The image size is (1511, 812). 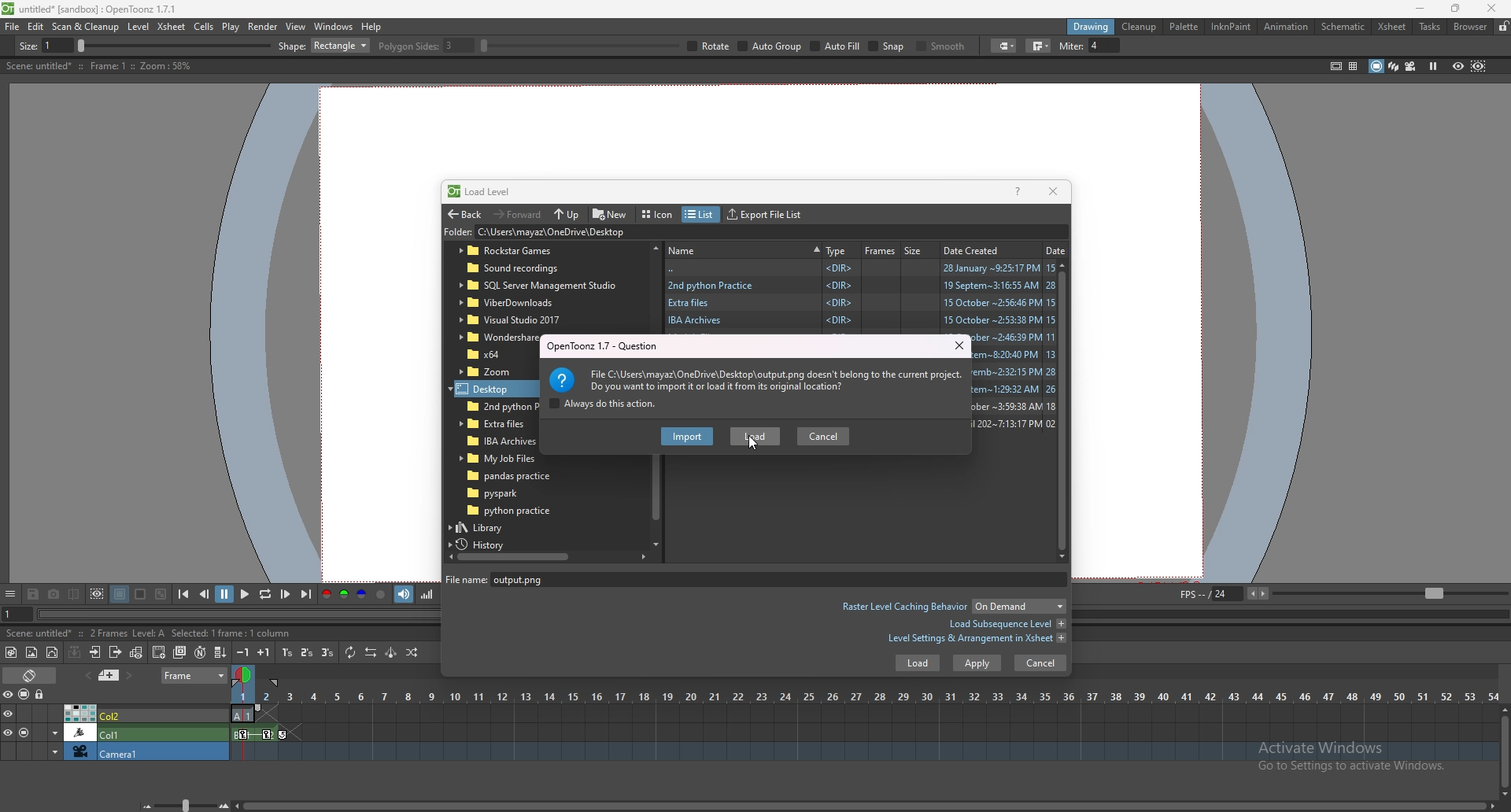 I want to click on rotate bar, so click(x=896, y=46).